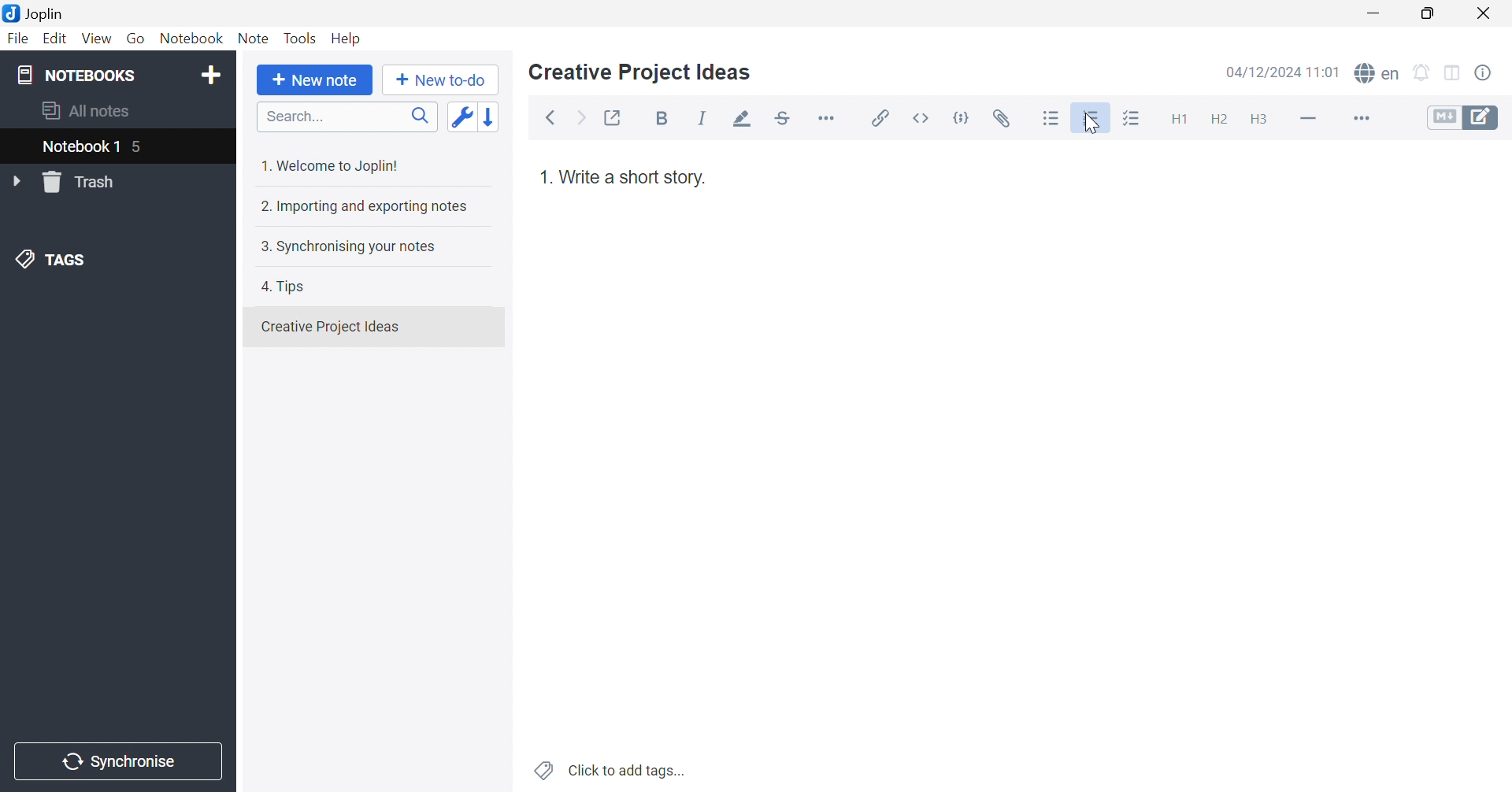 The width and height of the screenshot is (1512, 792). Describe the element at coordinates (1178, 120) in the screenshot. I see `Heading 1` at that location.